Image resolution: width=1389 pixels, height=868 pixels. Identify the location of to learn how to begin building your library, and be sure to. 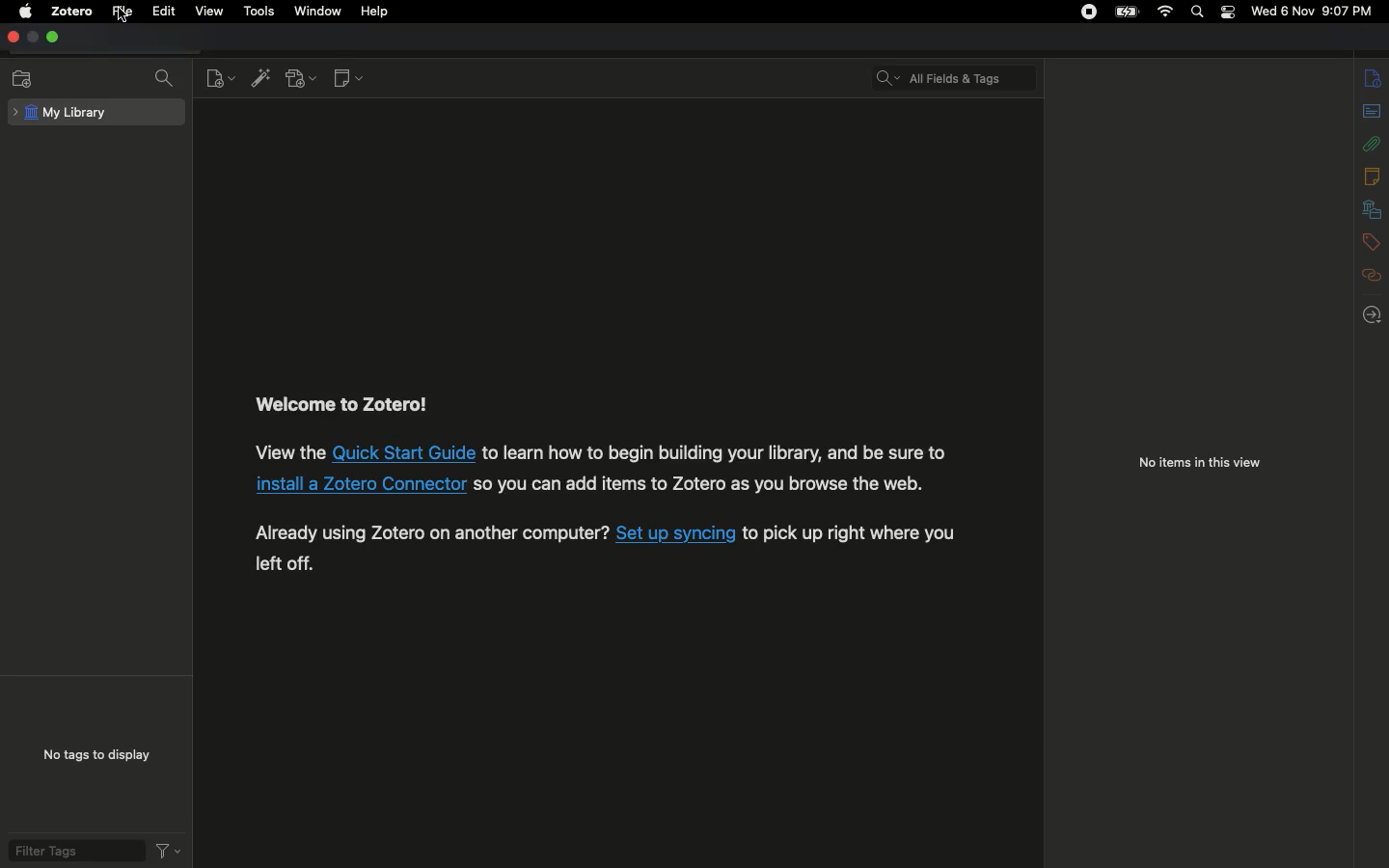
(715, 452).